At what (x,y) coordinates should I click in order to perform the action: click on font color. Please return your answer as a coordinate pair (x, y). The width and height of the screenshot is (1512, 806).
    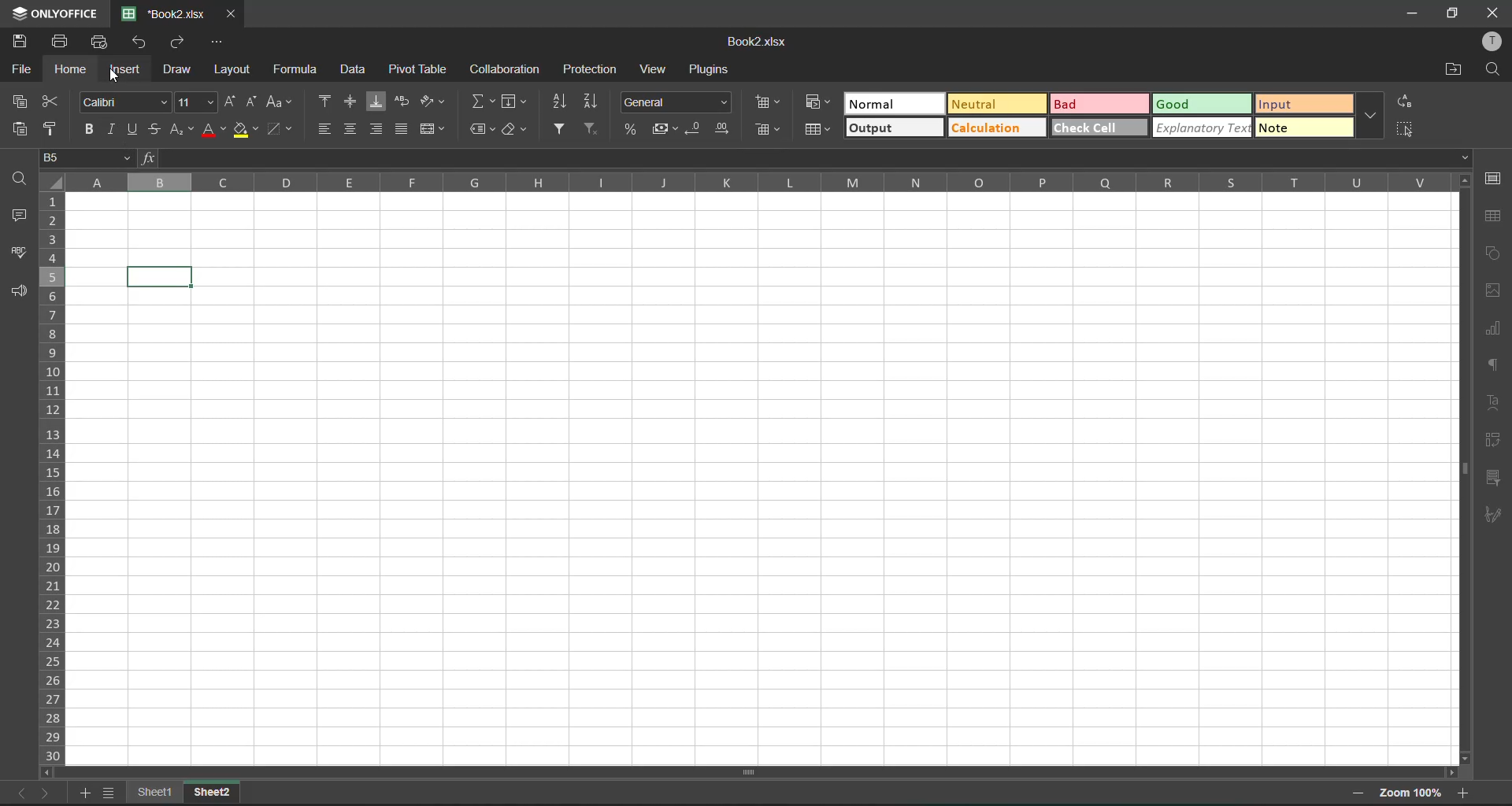
    Looking at the image, I should click on (212, 131).